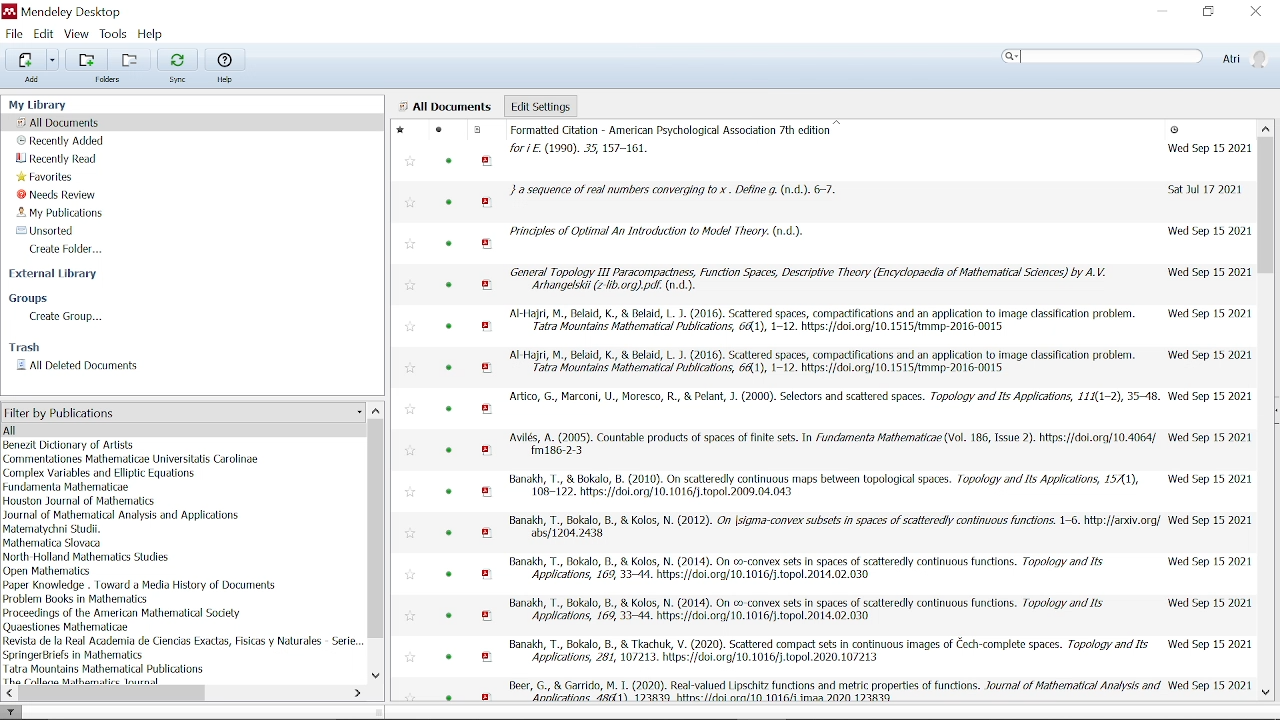 This screenshot has height=720, width=1280. What do you see at coordinates (1210, 436) in the screenshot?
I see `date time` at bounding box center [1210, 436].